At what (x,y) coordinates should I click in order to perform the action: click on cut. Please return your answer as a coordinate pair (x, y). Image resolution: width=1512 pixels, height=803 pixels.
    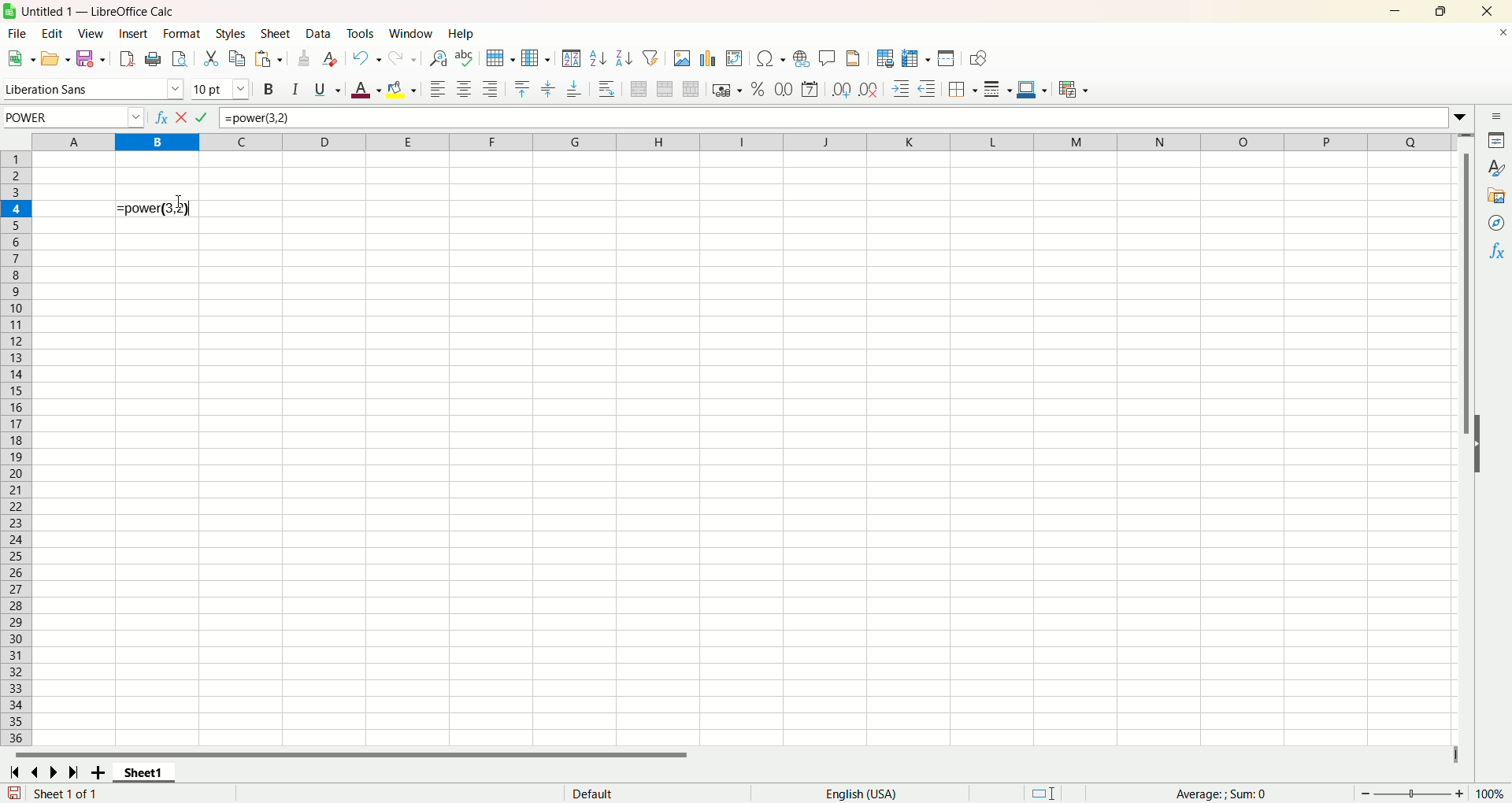
    Looking at the image, I should click on (210, 57).